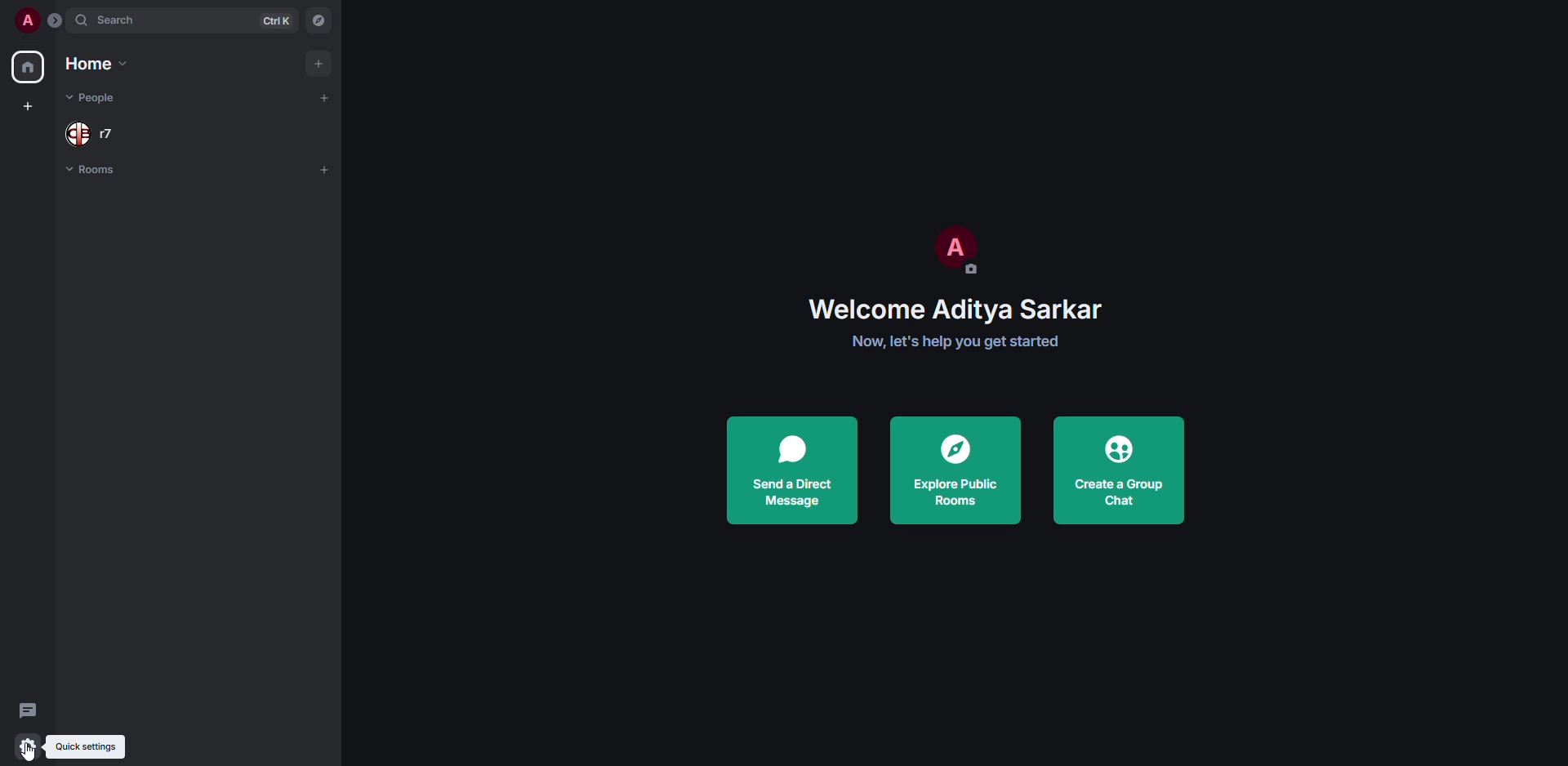 The image size is (1568, 766). I want to click on home, so click(93, 64).